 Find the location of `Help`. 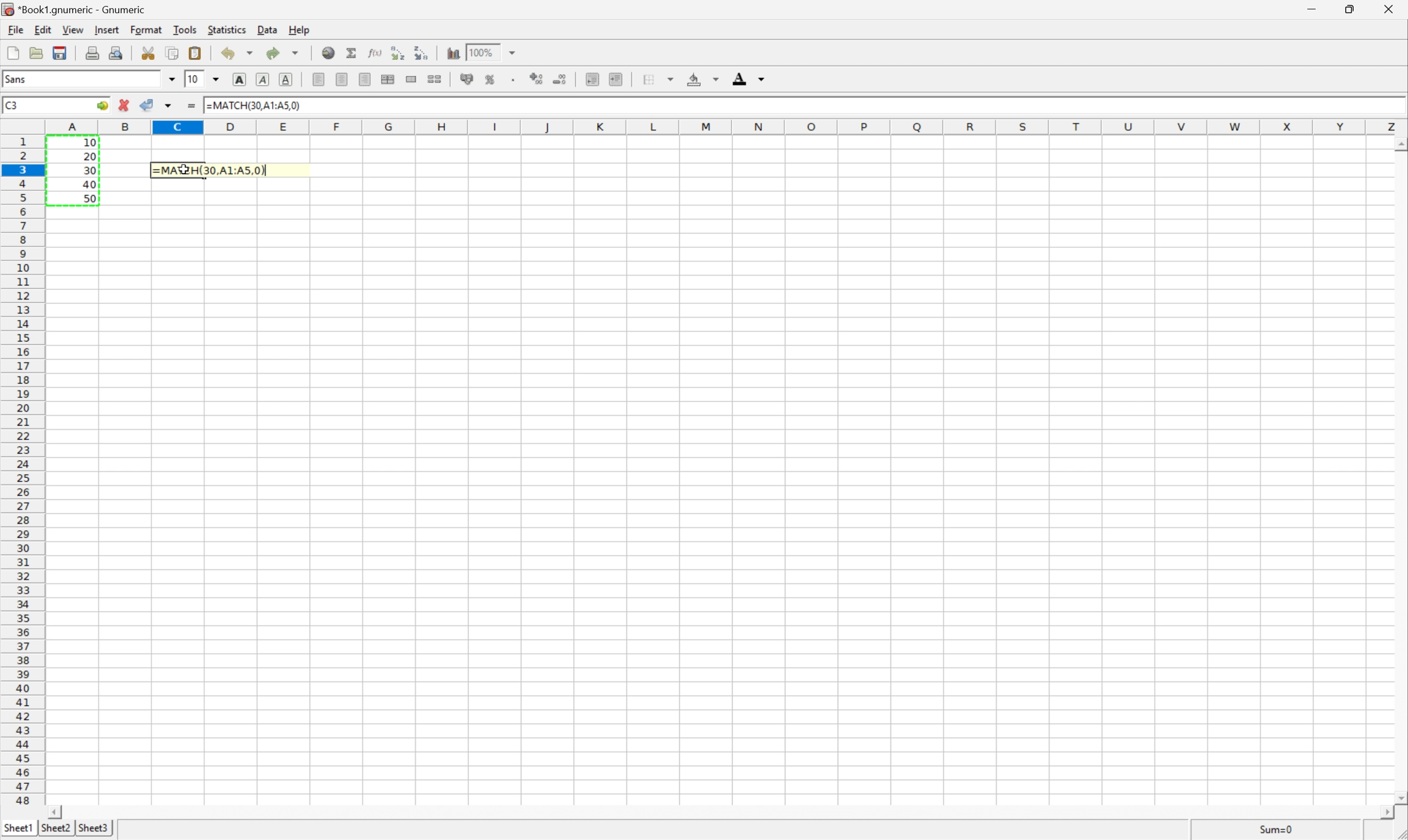

Help is located at coordinates (301, 28).